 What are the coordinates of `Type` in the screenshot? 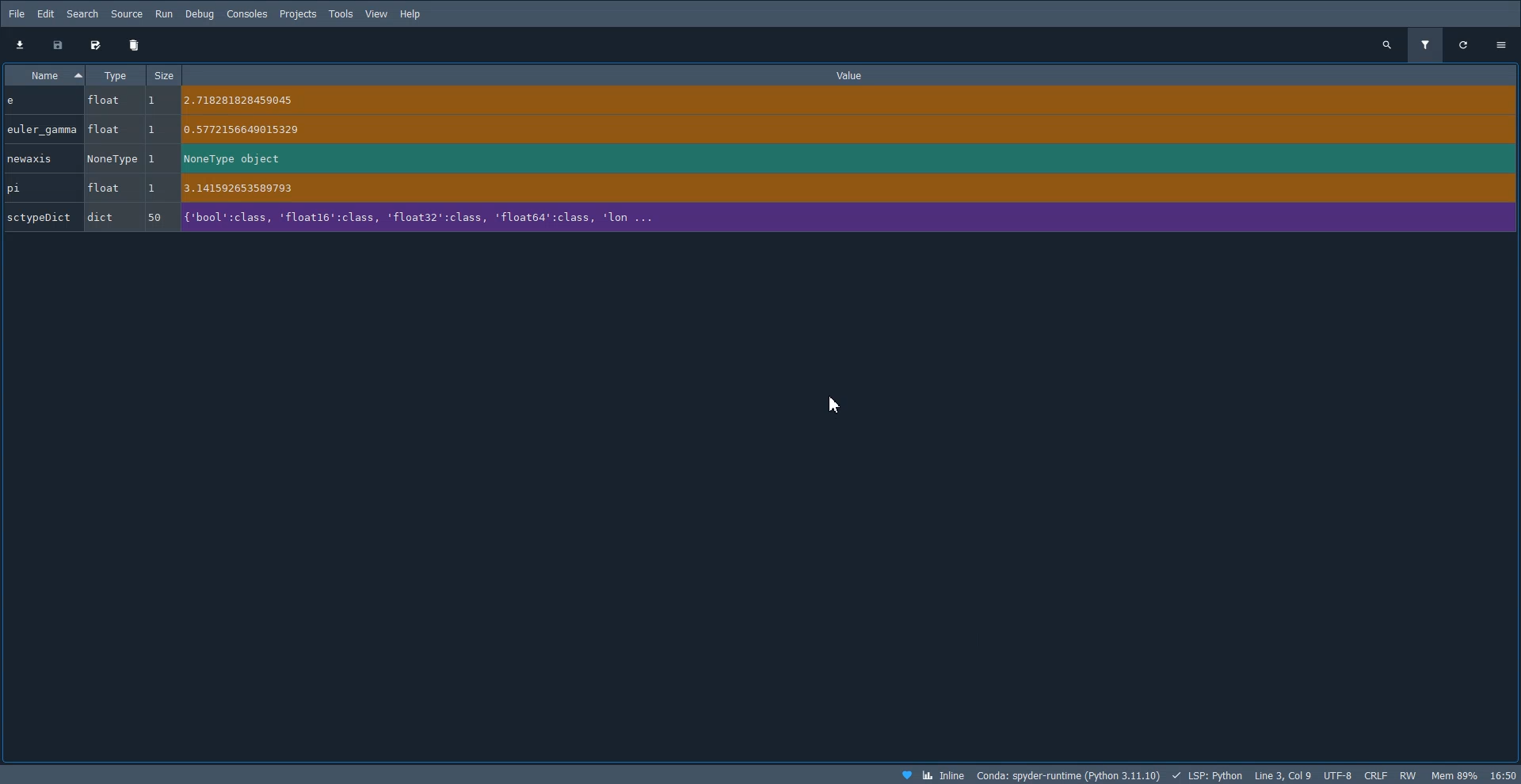 It's located at (115, 74).